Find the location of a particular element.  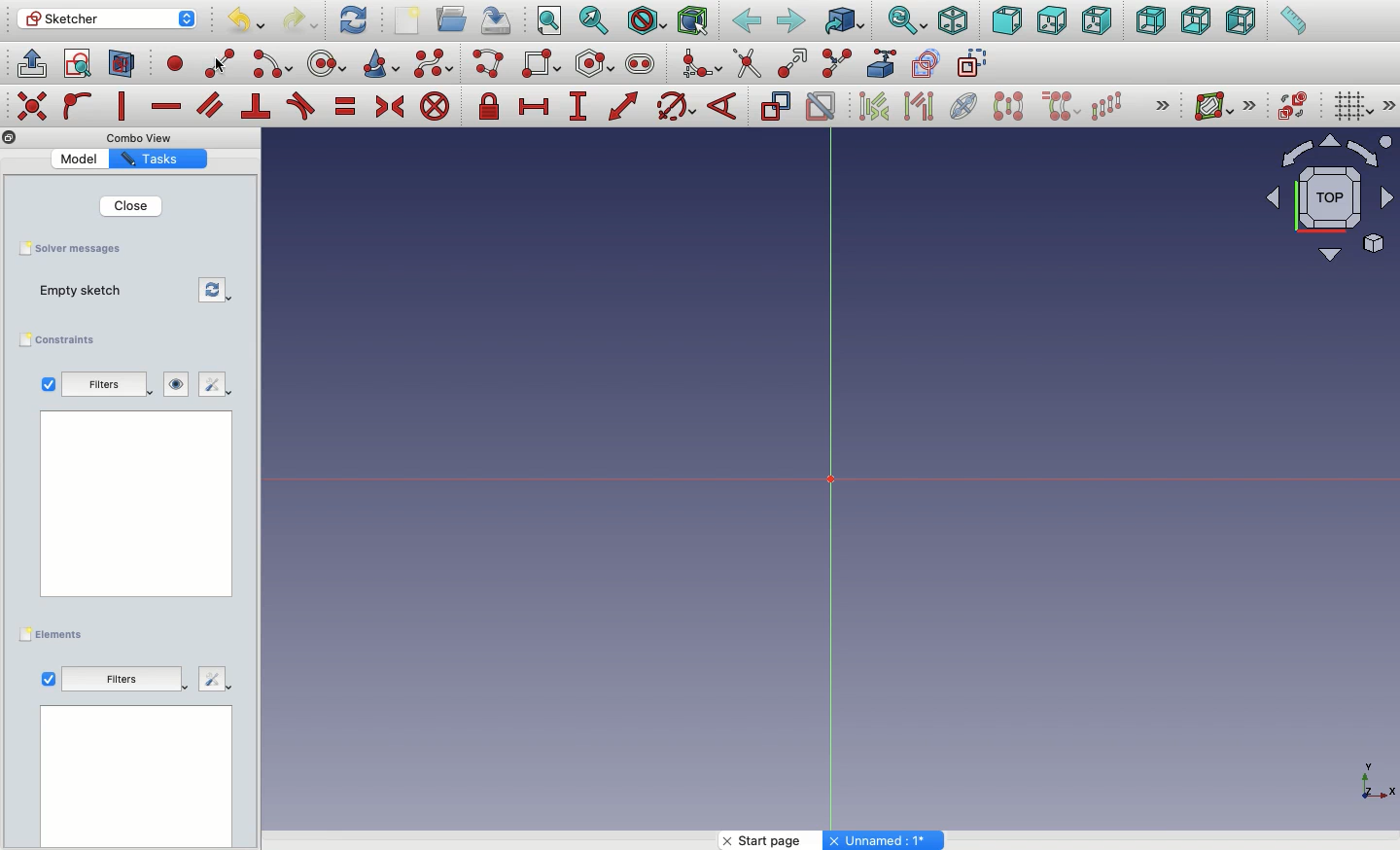

Axis is located at coordinates (831, 485).